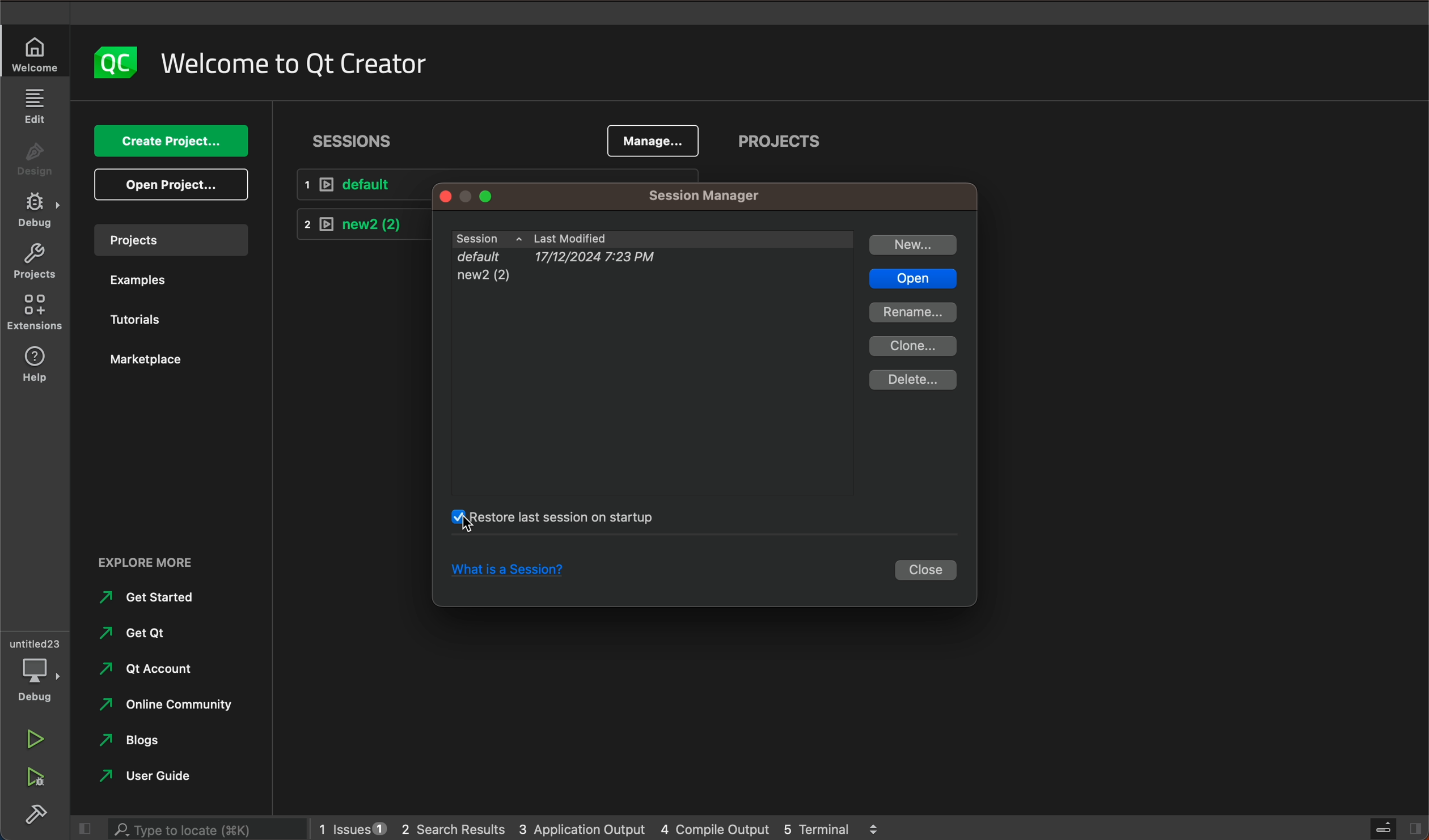 The width and height of the screenshot is (1429, 840). I want to click on build, so click(32, 813).